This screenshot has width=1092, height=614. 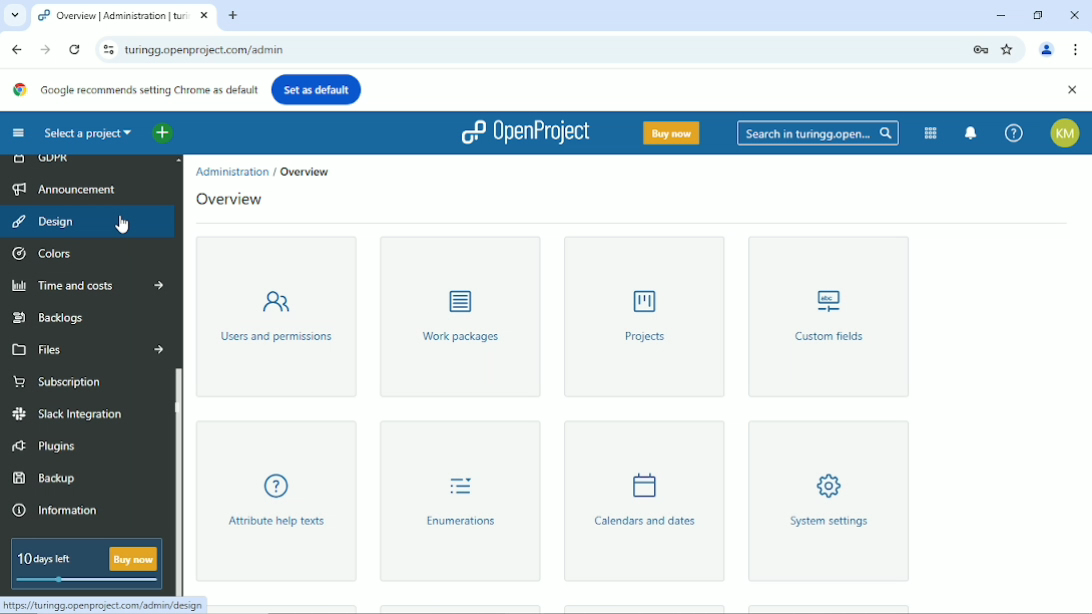 I want to click on buy now, so click(x=134, y=557).